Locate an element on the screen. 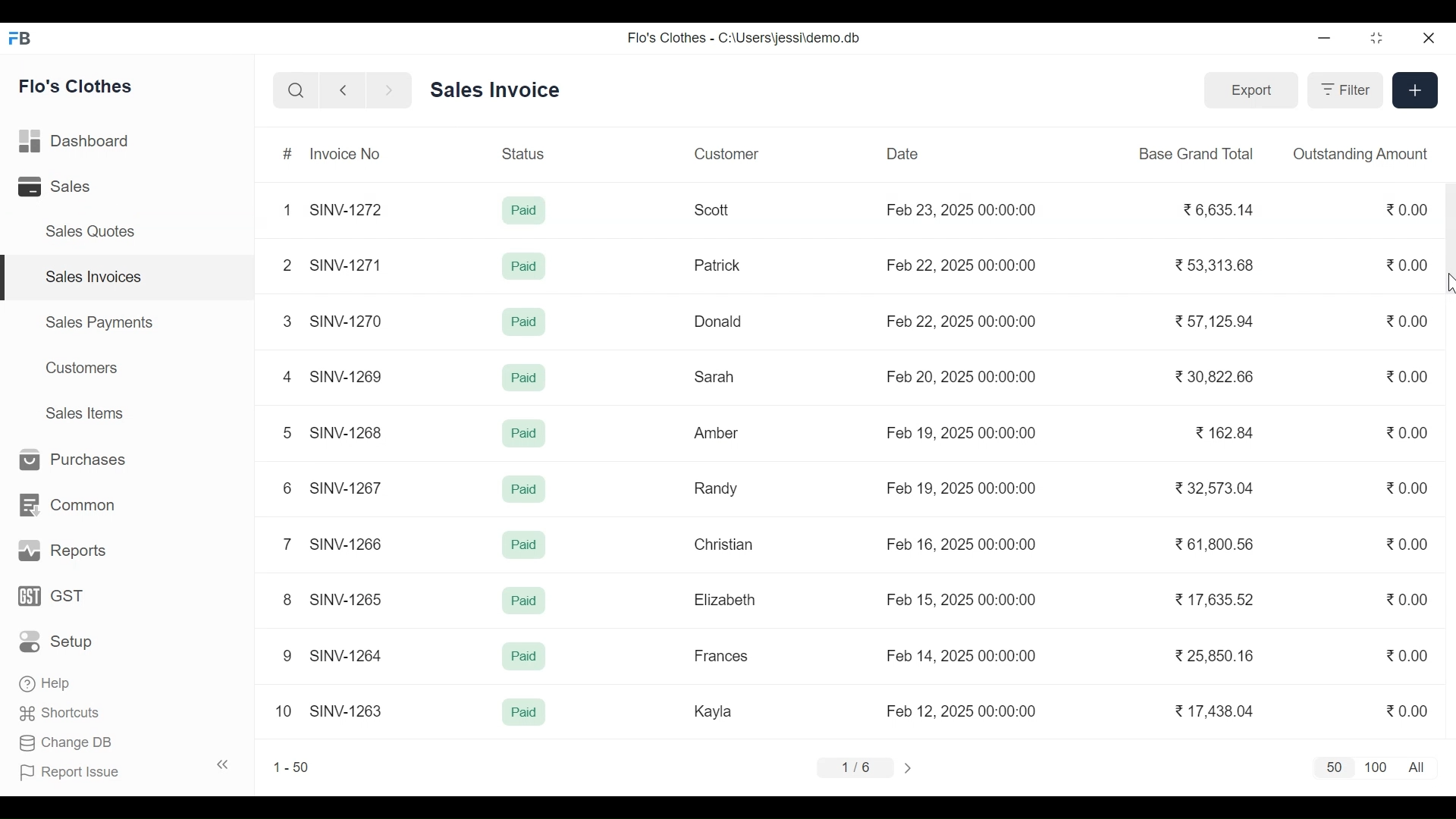 The image size is (1456, 819). Donald is located at coordinates (720, 322).